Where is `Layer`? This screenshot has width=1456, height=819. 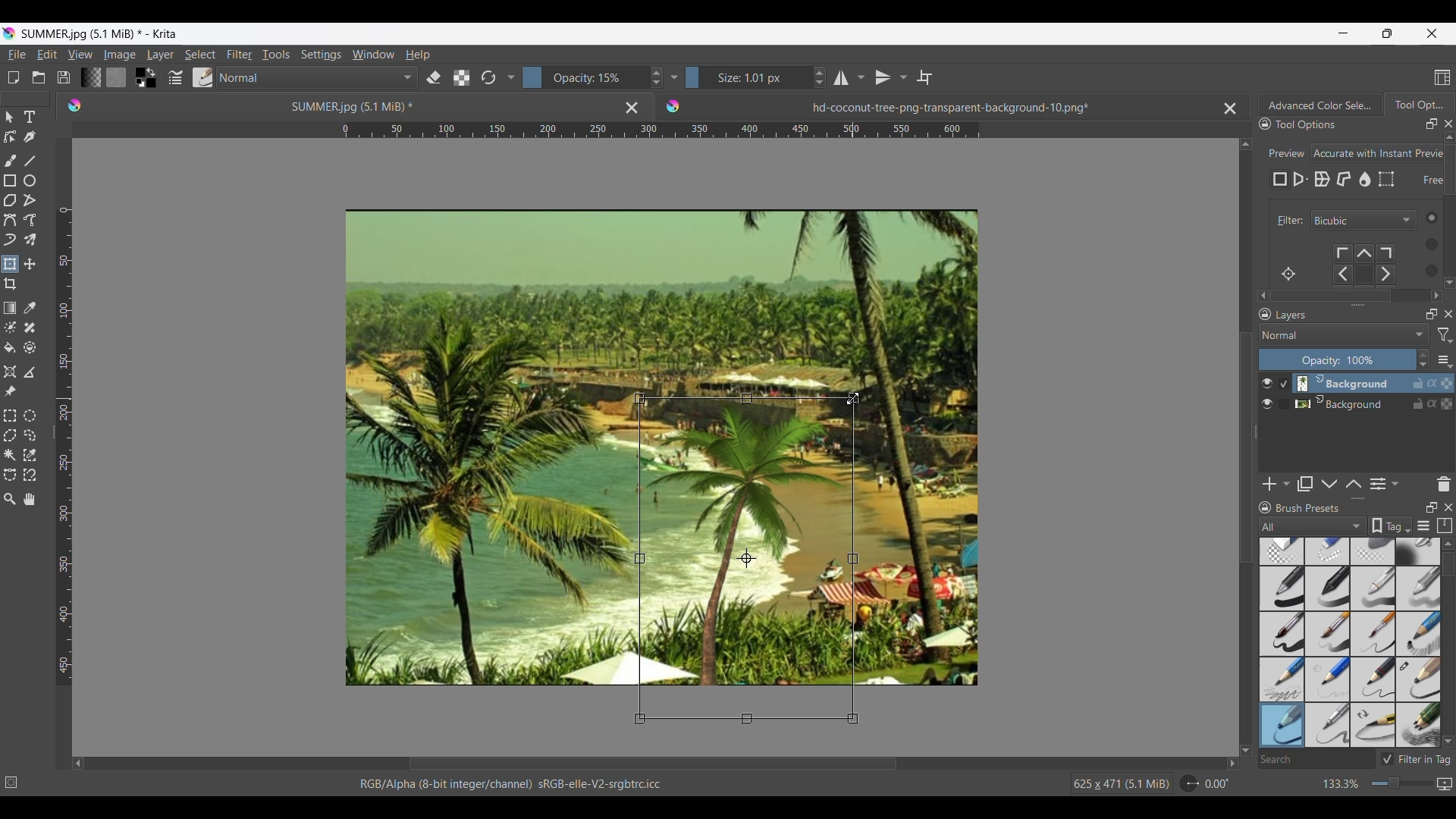
Layer is located at coordinates (160, 55).